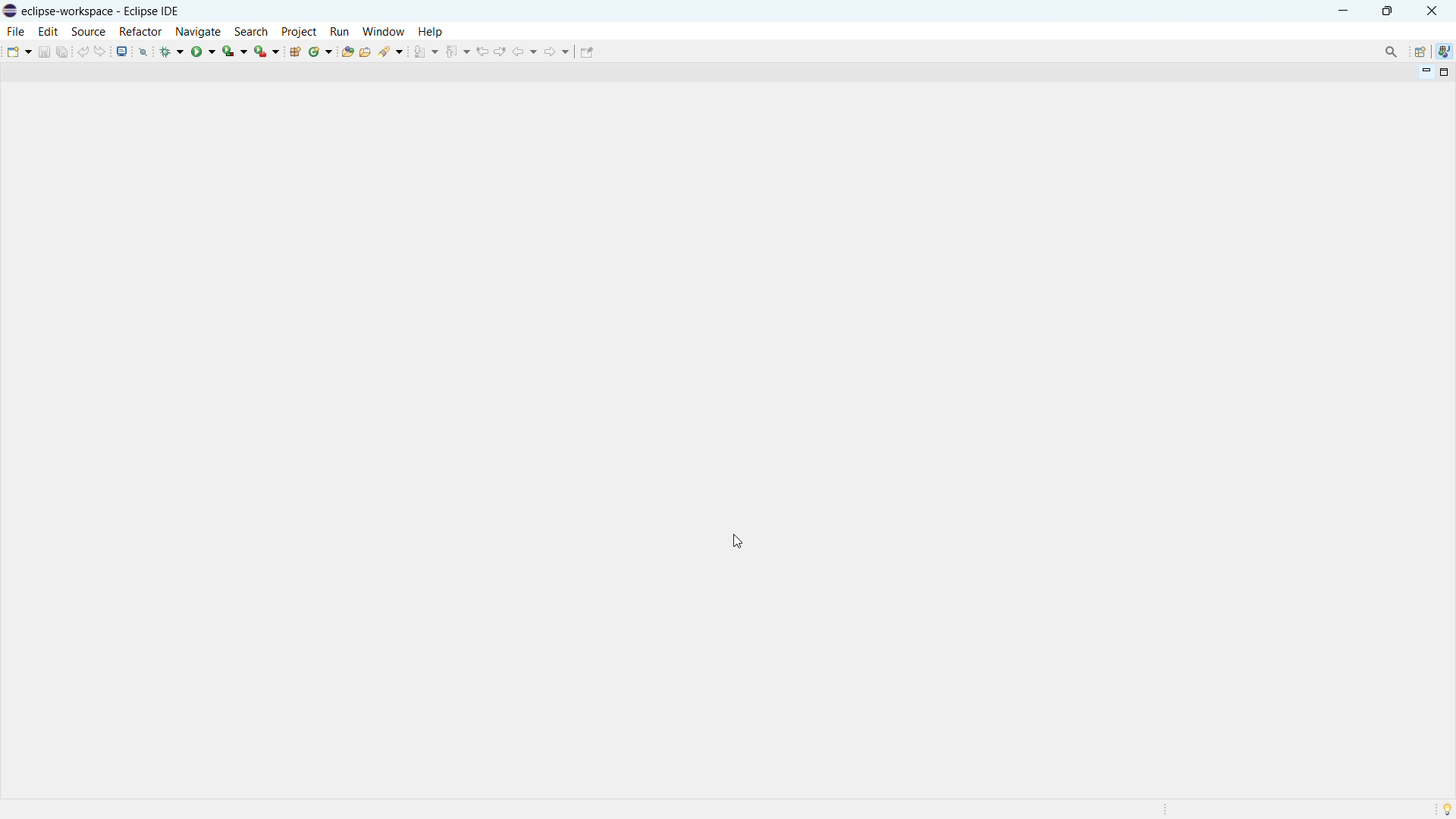 Image resolution: width=1456 pixels, height=819 pixels. Describe the element at coordinates (102, 50) in the screenshot. I see `redo` at that location.